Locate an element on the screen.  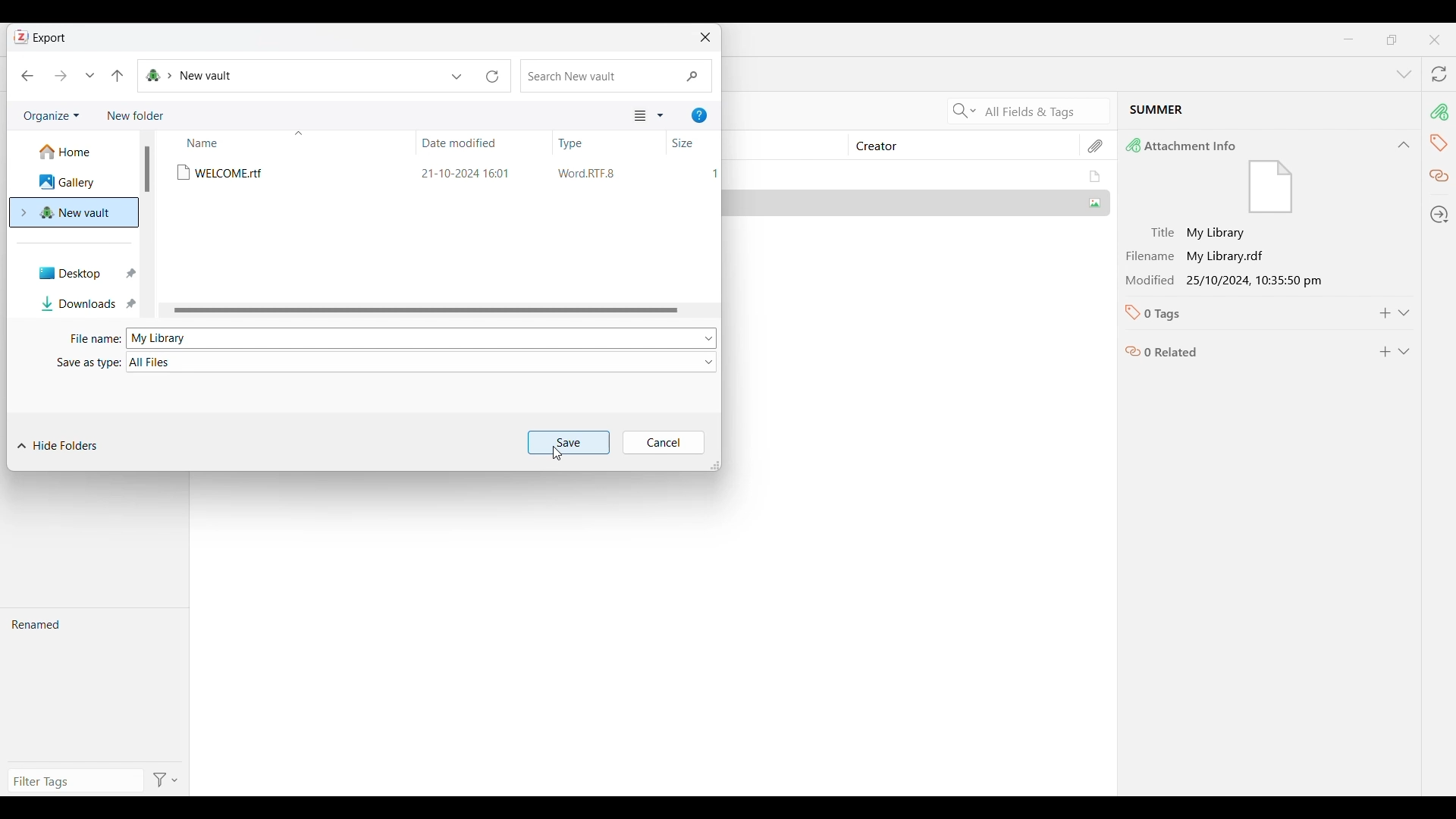
Move to the previous folder is located at coordinates (118, 74).